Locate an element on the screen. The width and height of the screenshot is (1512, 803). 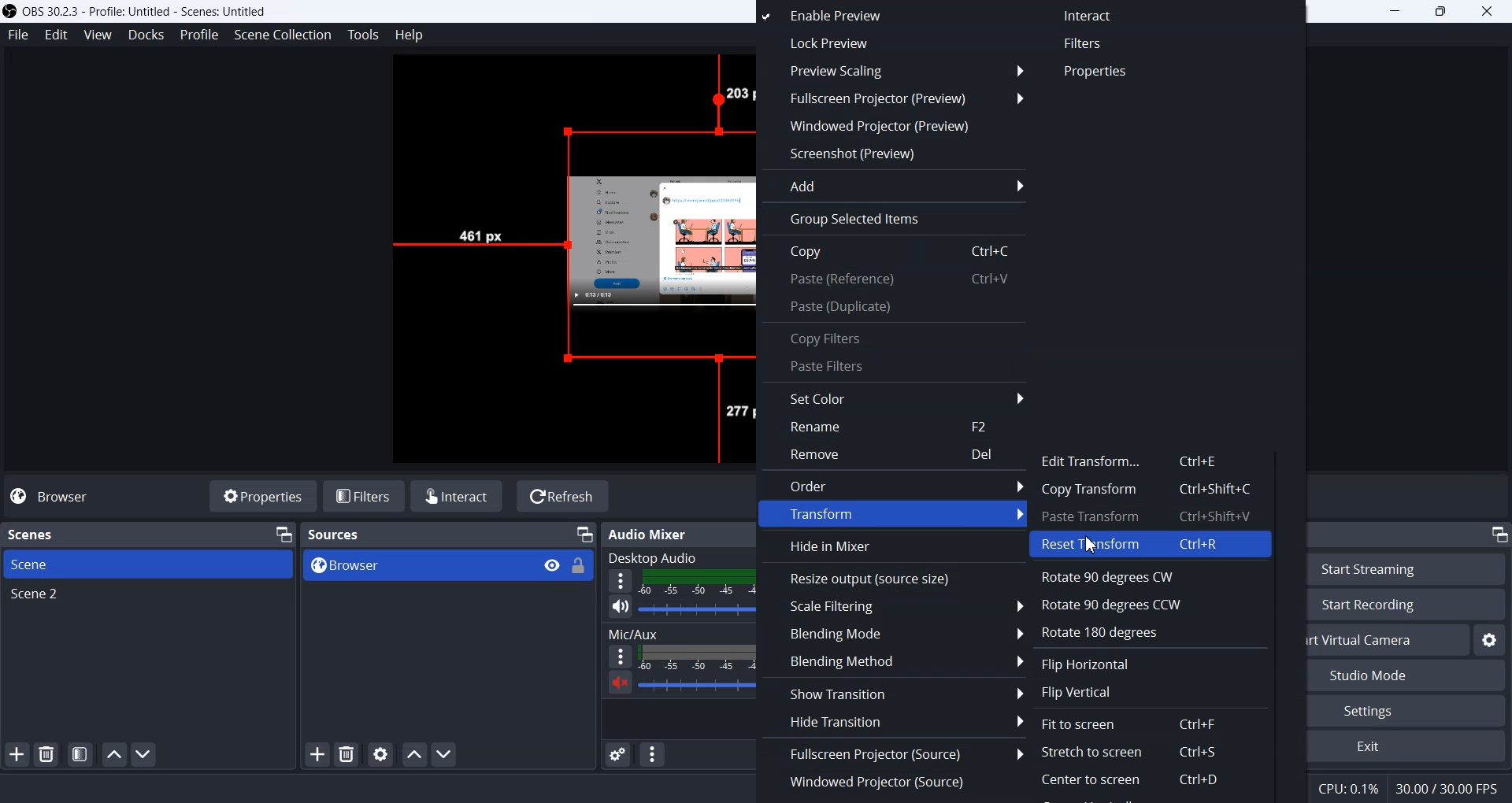
Mic/aux is located at coordinates (680, 631).